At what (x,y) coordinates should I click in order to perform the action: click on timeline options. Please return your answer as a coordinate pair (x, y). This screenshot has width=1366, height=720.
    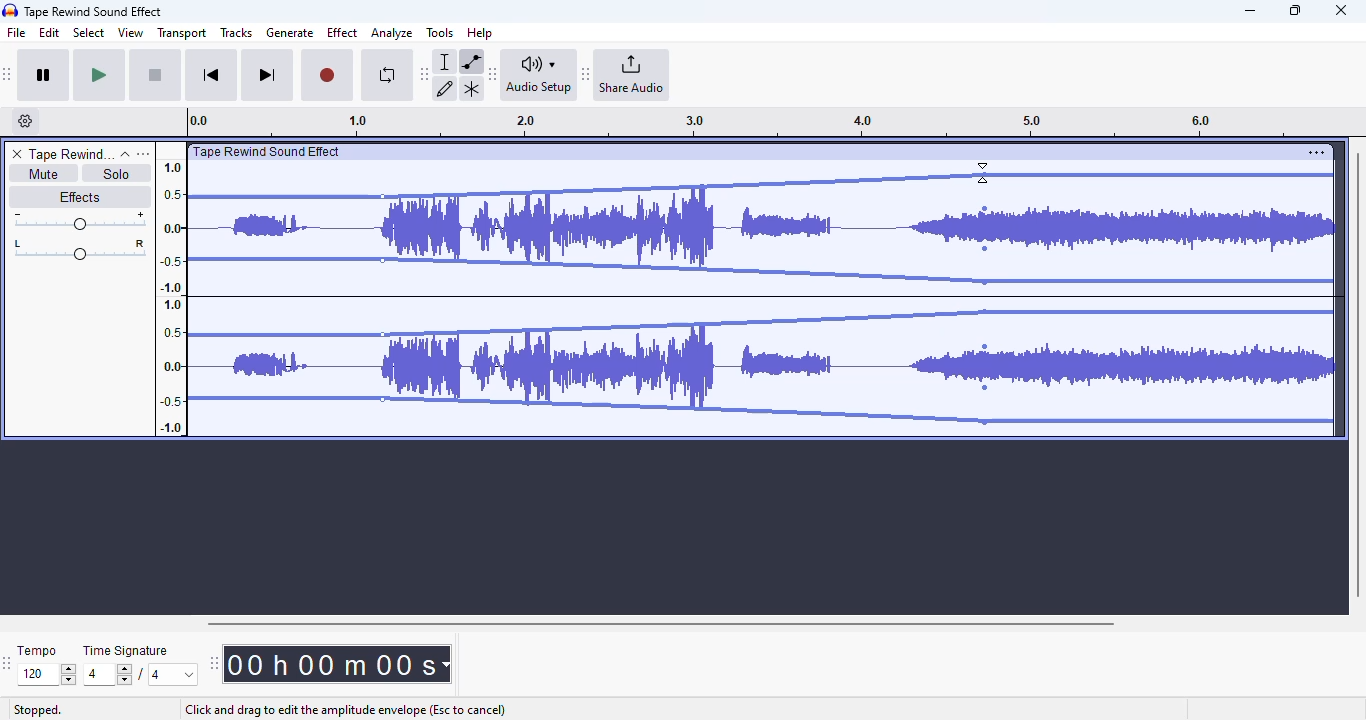
    Looking at the image, I should click on (26, 121).